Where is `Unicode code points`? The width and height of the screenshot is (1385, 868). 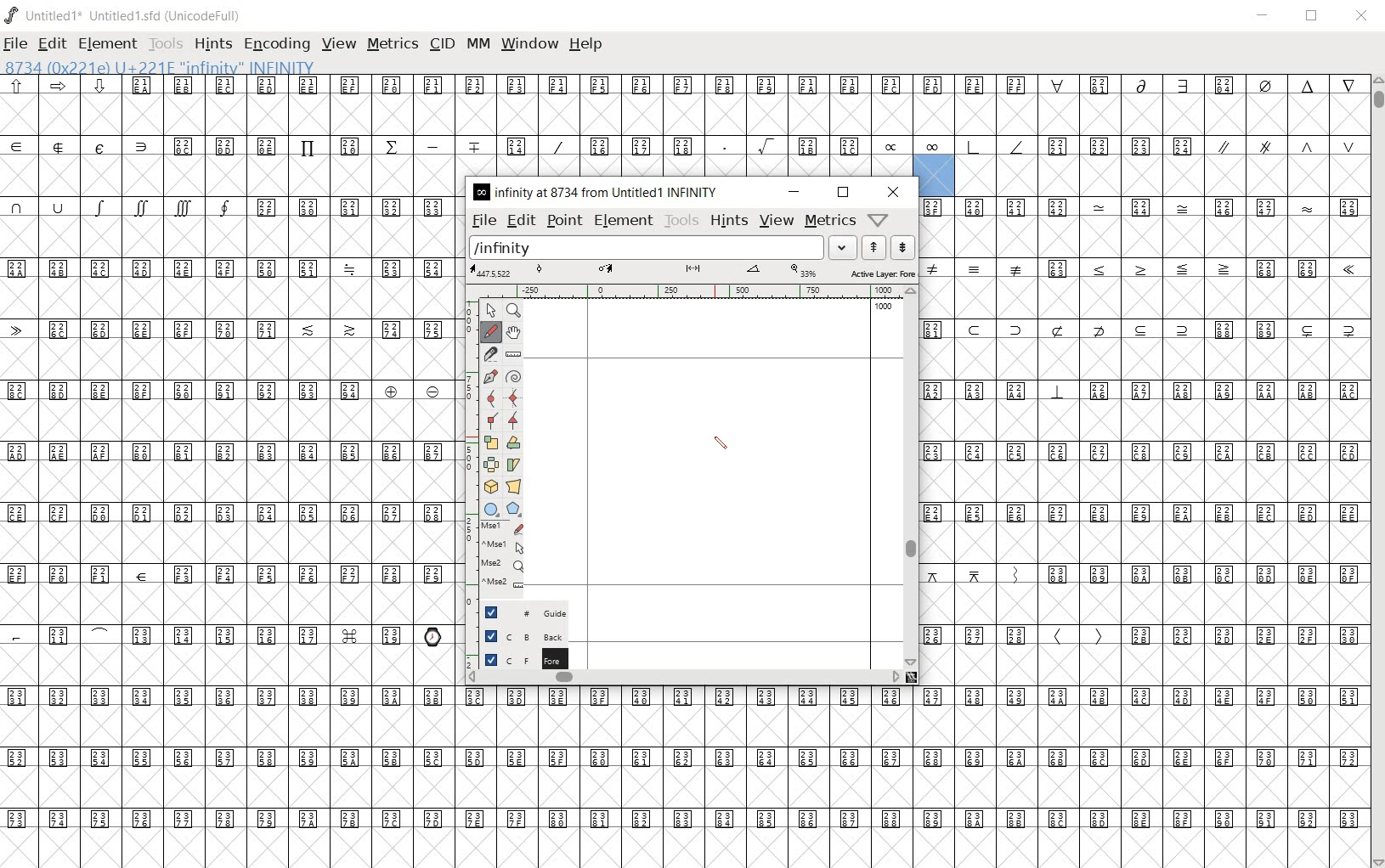 Unicode code points is located at coordinates (740, 85).